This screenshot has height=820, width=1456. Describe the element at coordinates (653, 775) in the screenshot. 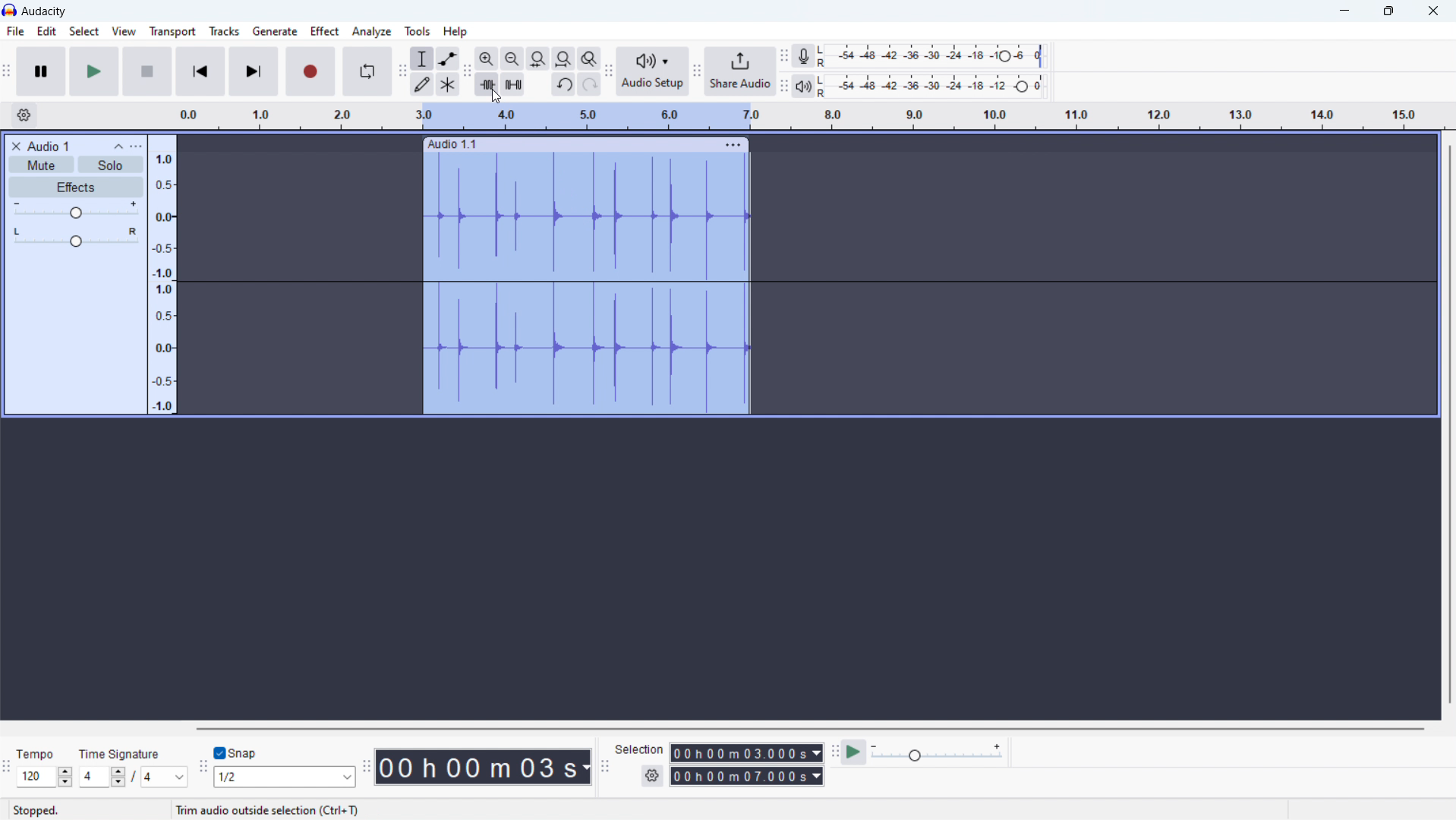

I see `settings` at that location.